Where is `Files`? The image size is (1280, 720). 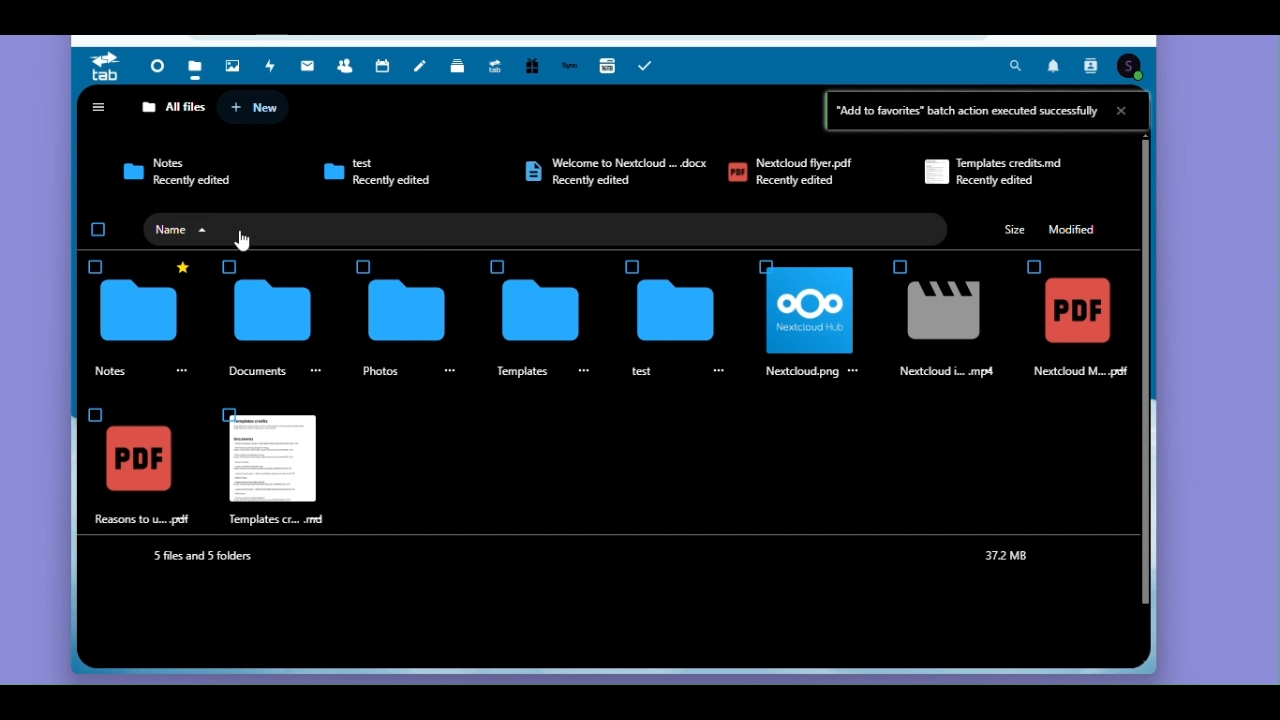
Files is located at coordinates (196, 68).